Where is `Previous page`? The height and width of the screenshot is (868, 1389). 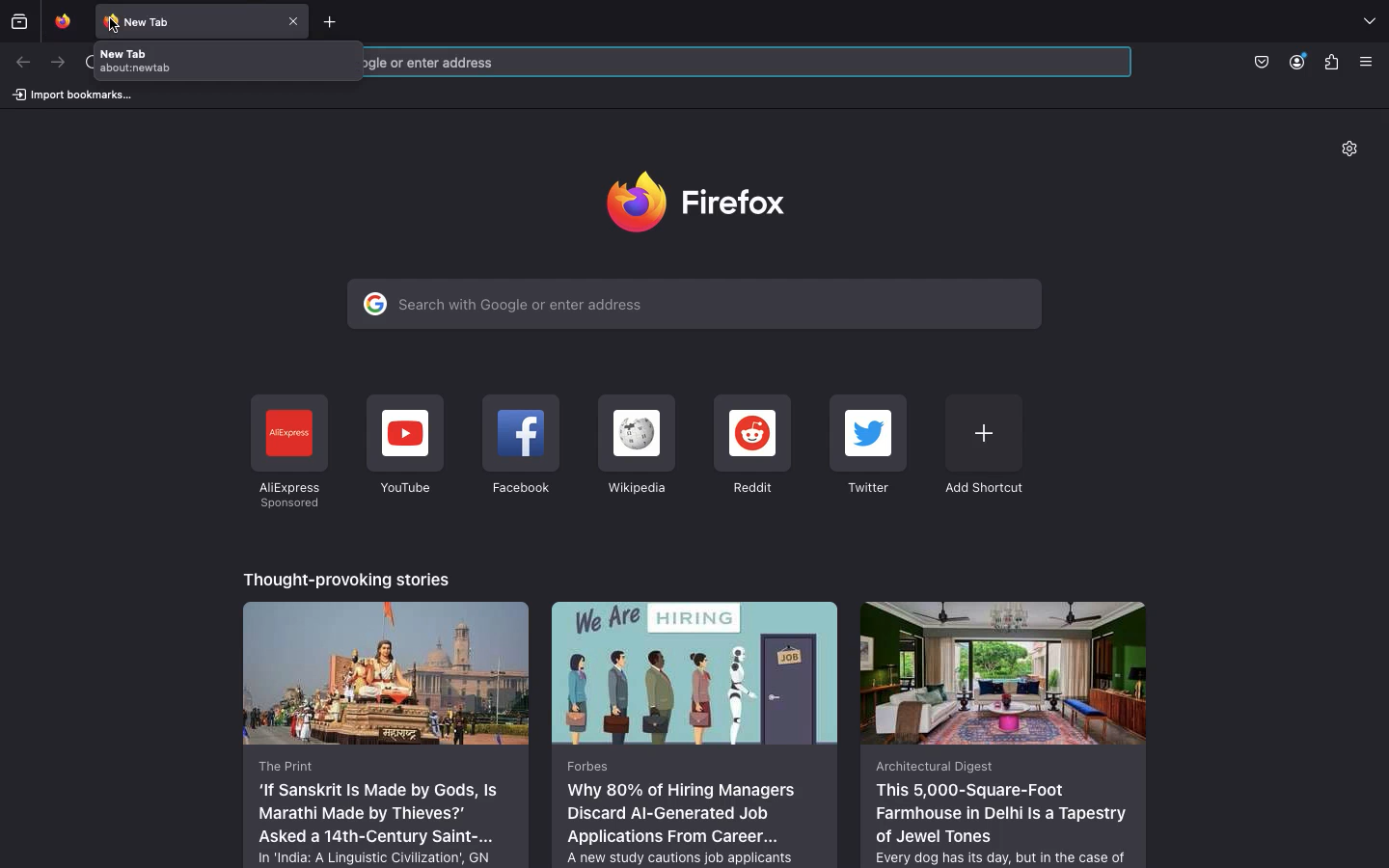 Previous page is located at coordinates (24, 63).